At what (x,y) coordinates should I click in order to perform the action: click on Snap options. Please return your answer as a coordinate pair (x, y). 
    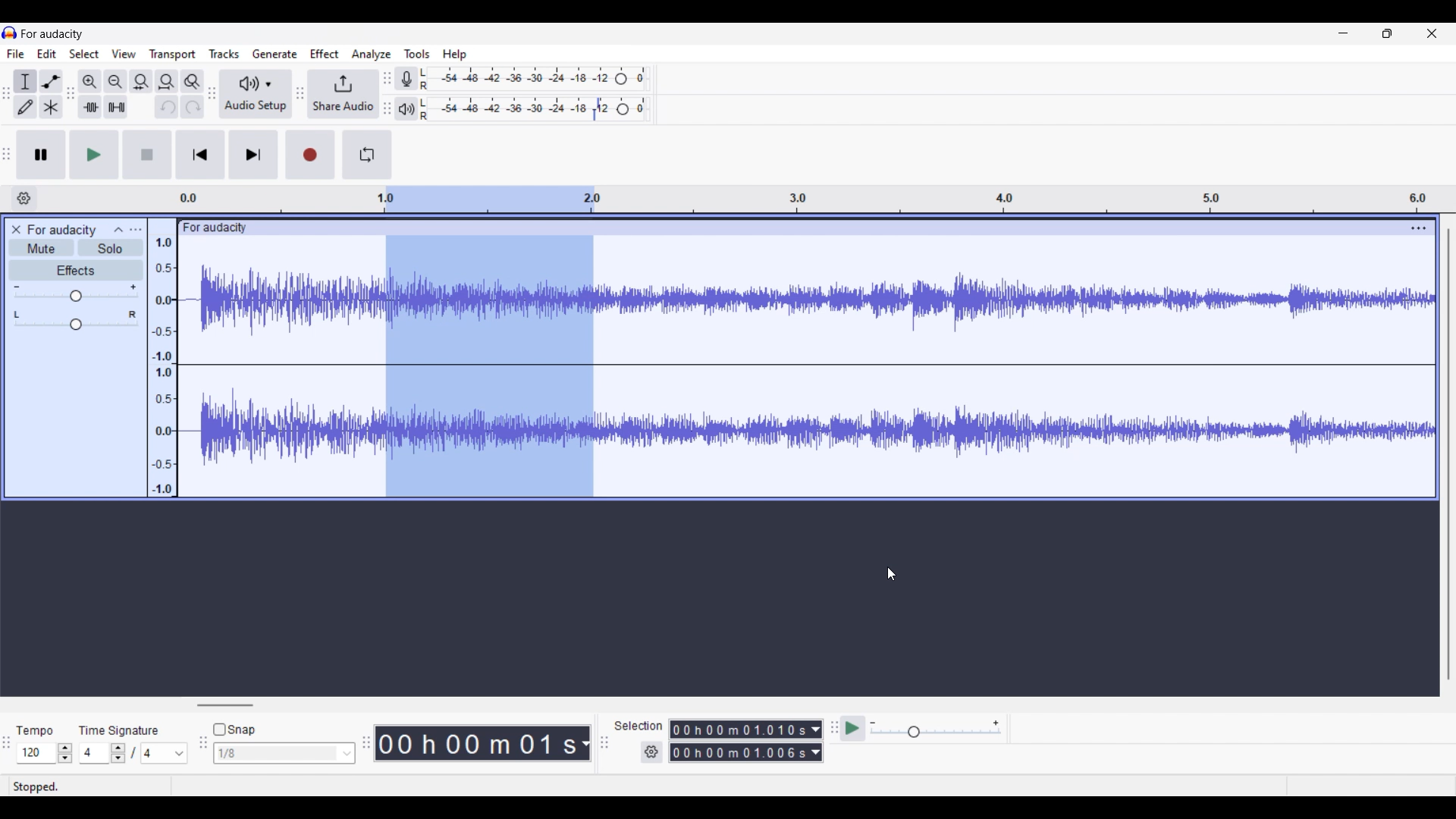
    Looking at the image, I should click on (285, 753).